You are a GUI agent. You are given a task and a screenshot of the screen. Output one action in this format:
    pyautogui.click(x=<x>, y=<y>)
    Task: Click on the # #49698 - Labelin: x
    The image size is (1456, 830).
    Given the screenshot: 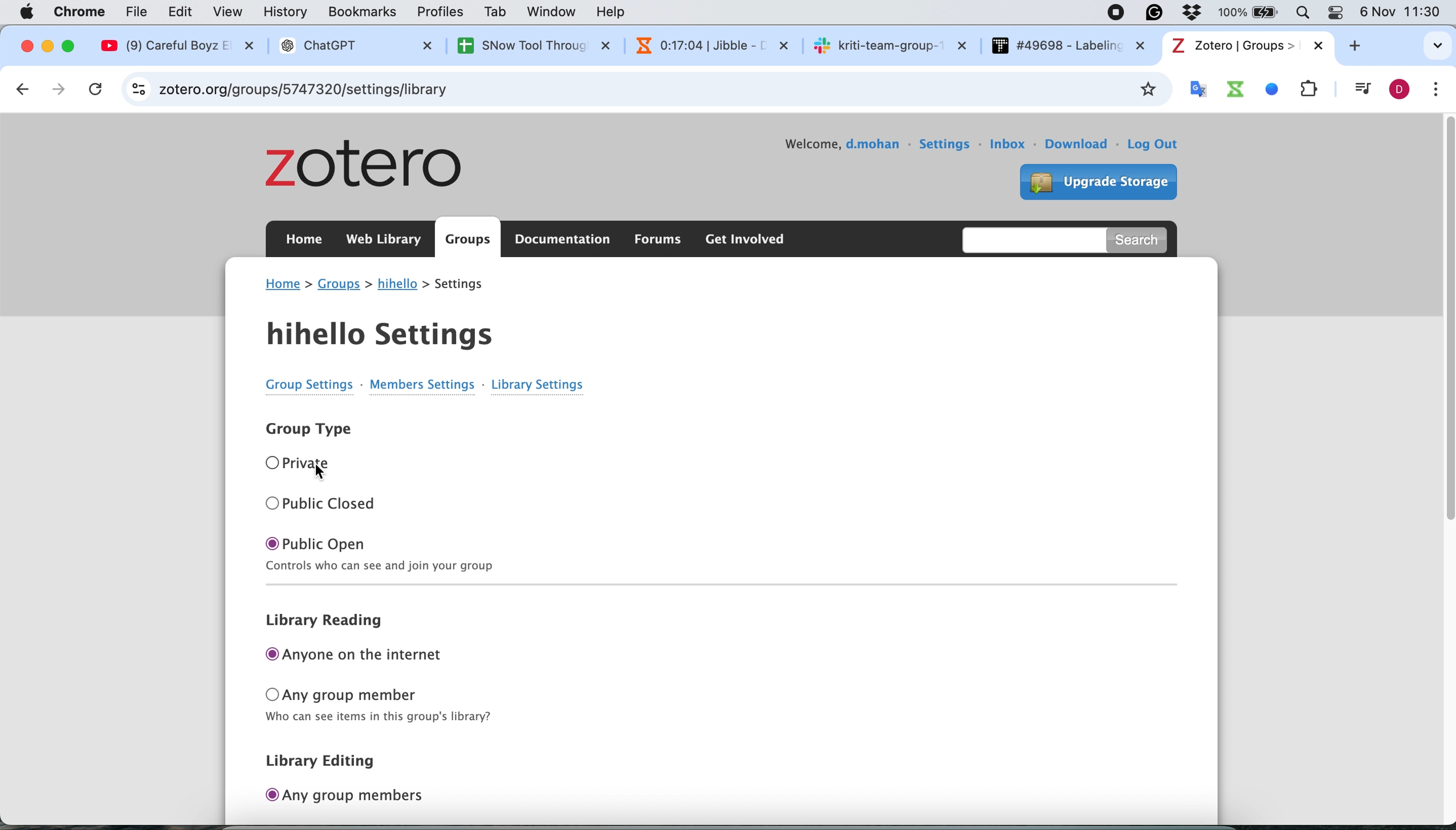 What is the action you would take?
    pyautogui.click(x=1069, y=46)
    